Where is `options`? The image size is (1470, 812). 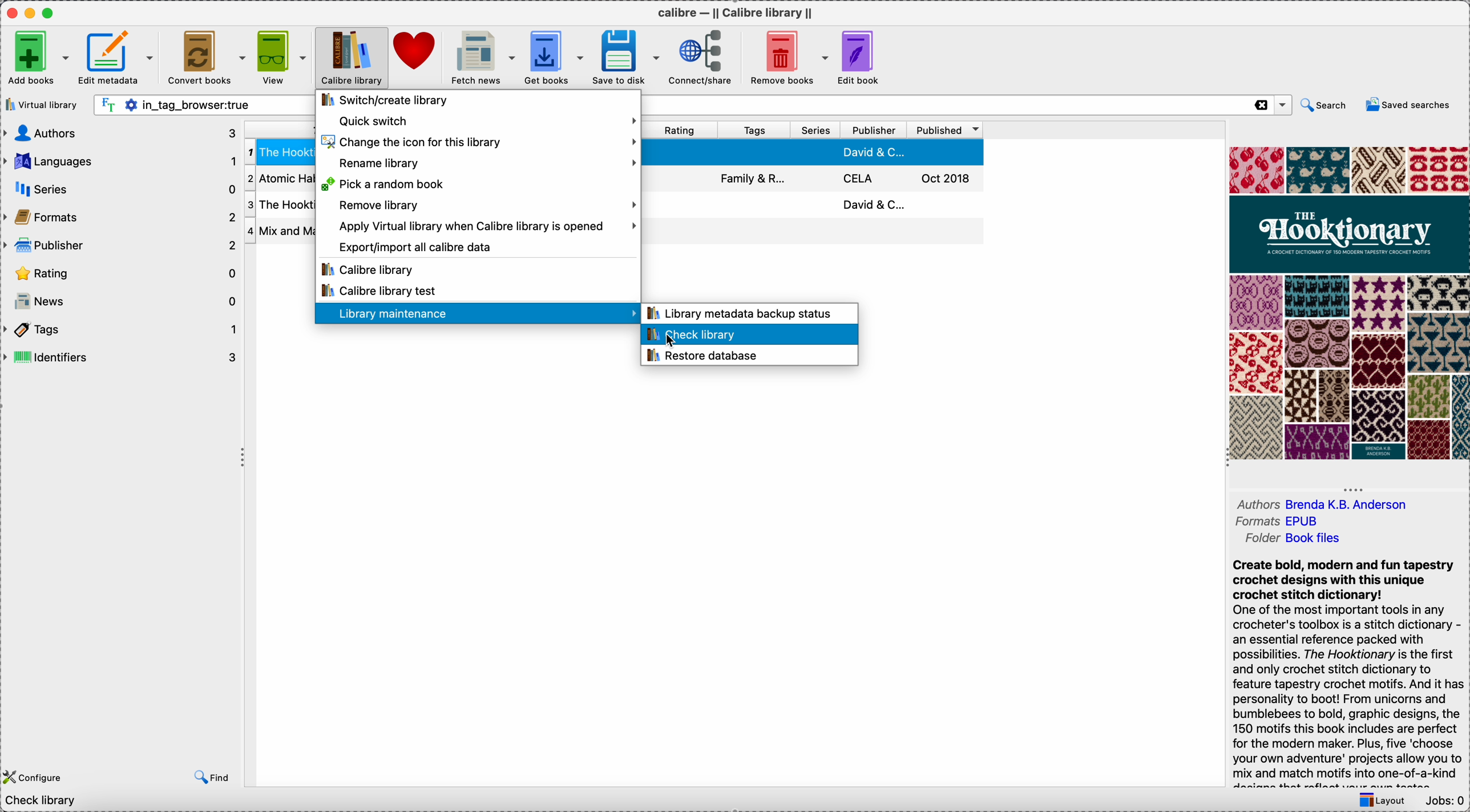 options is located at coordinates (1282, 106).